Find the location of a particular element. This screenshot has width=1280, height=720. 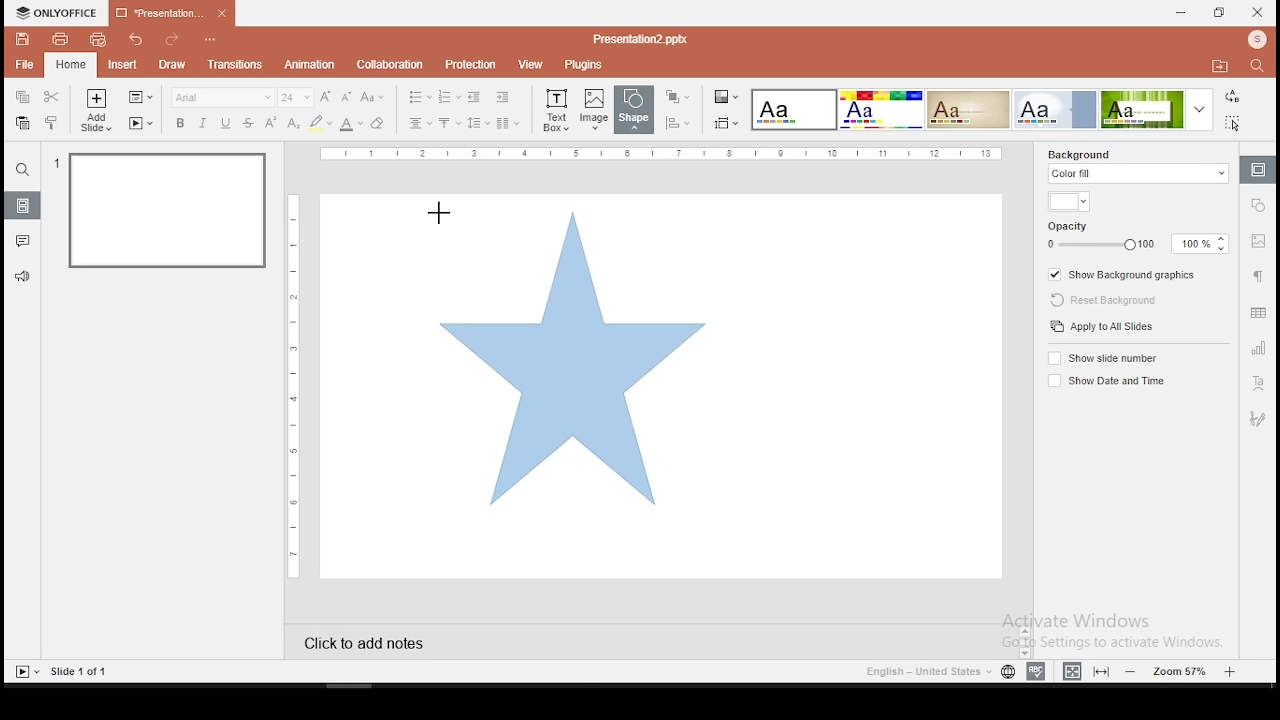

highlight color is located at coordinates (320, 124).